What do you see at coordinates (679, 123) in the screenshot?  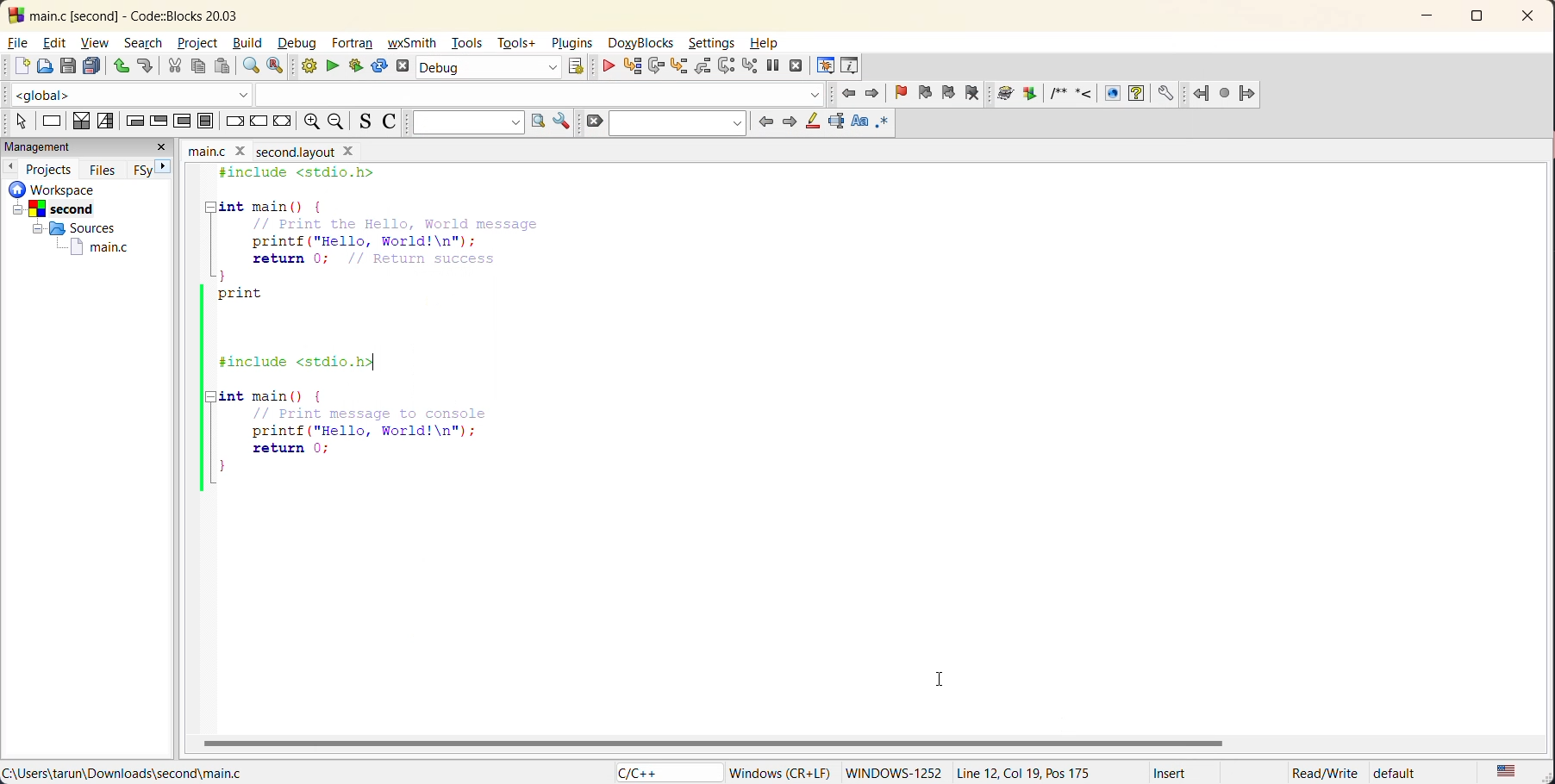 I see `search` at bounding box center [679, 123].